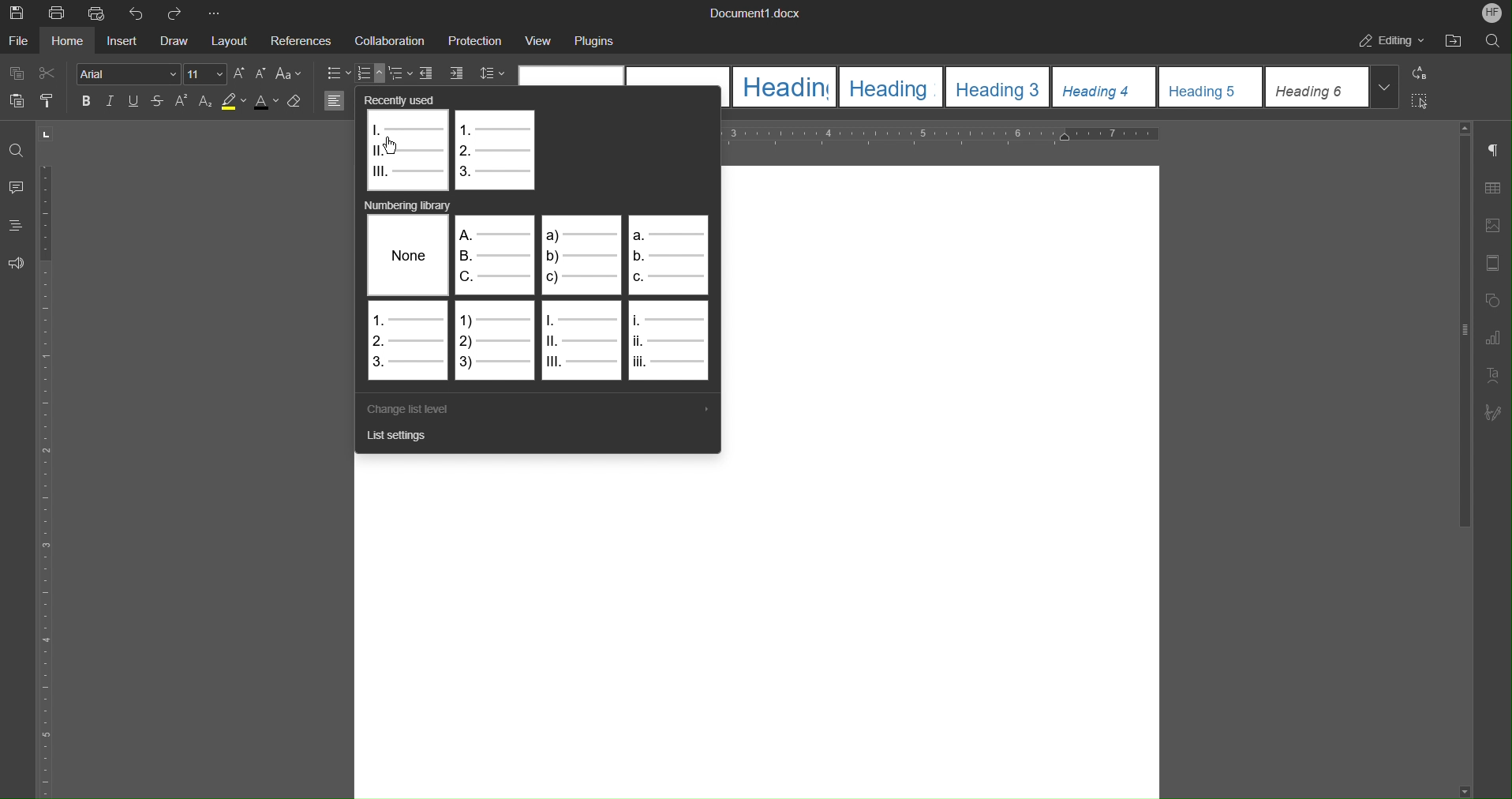 This screenshot has width=1512, height=799. What do you see at coordinates (455, 74) in the screenshot?
I see `Increase Indent` at bounding box center [455, 74].